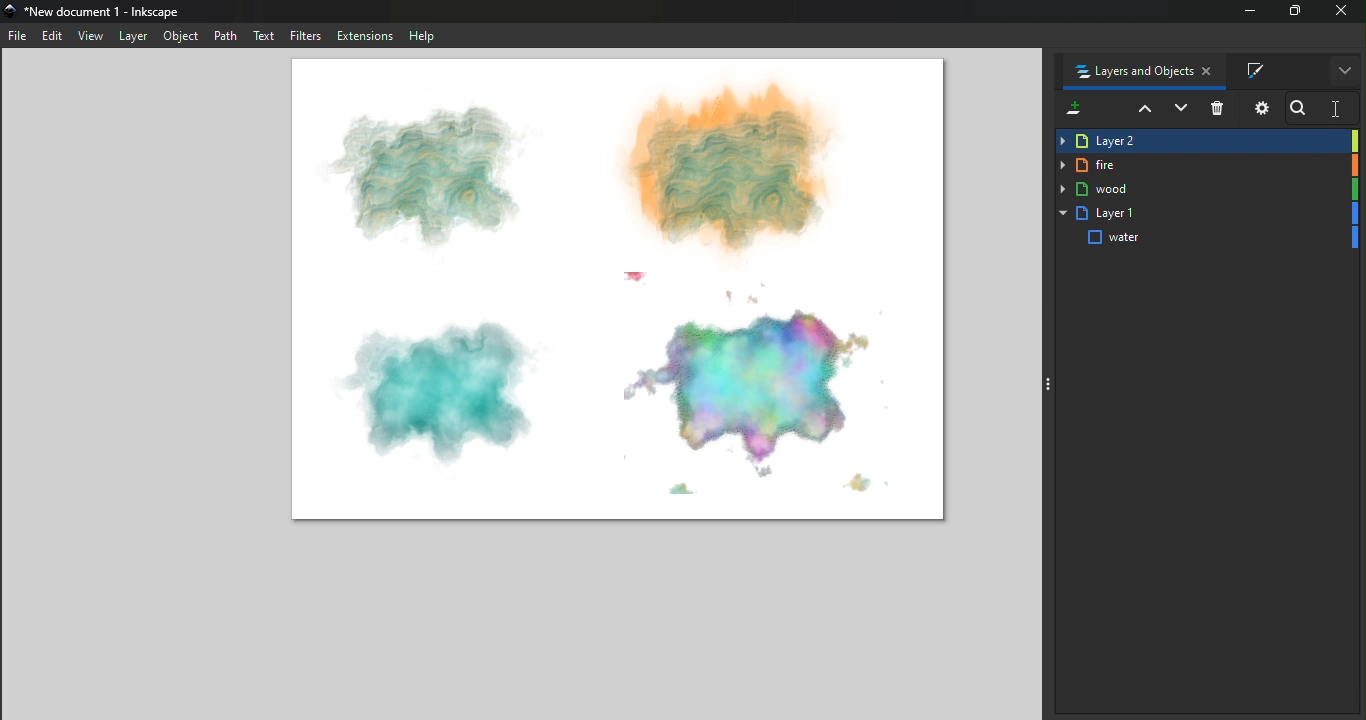  I want to click on Filters, so click(307, 35).